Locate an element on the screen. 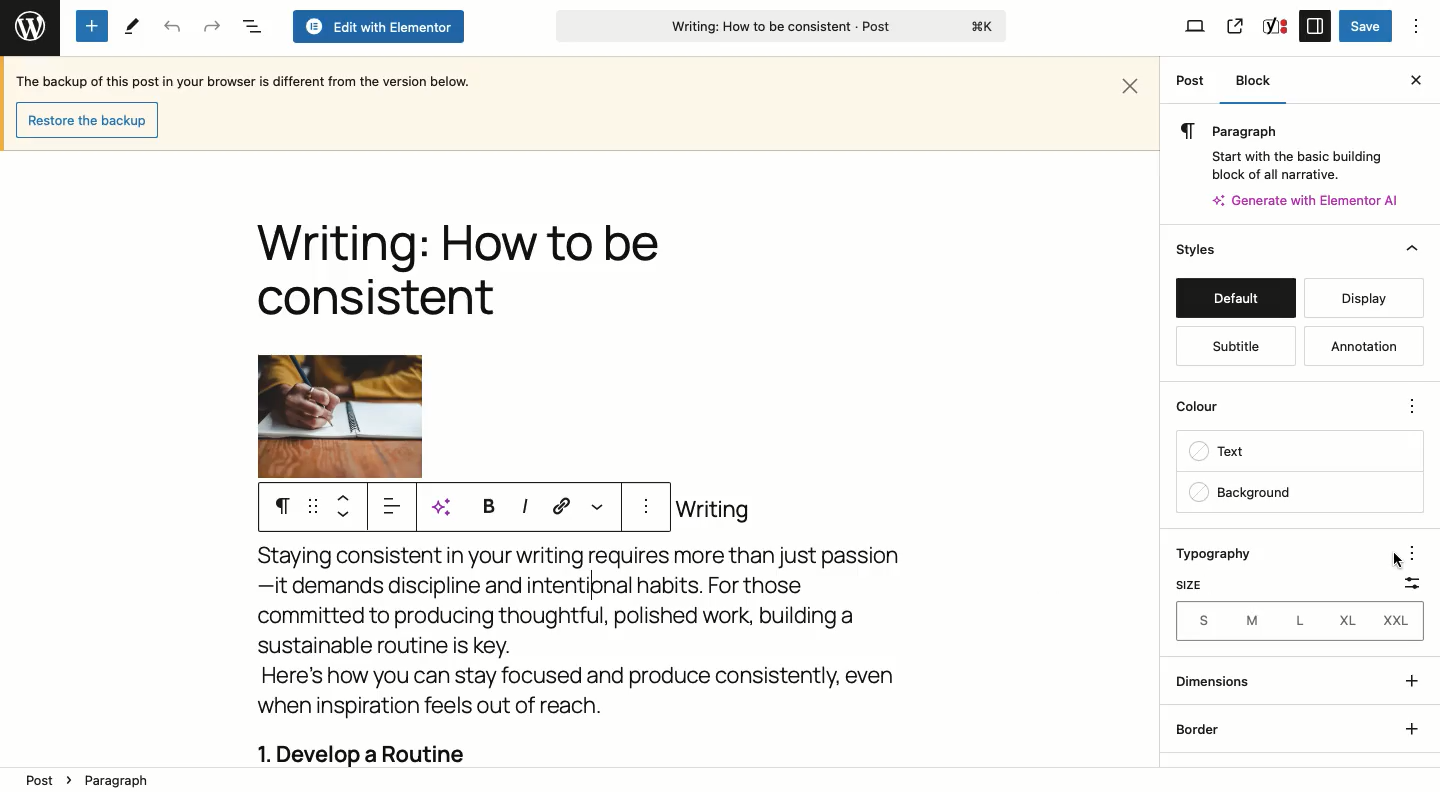 This screenshot has height=792, width=1440. Start with the basic building block of all  narrative. is located at coordinates (1295, 162).